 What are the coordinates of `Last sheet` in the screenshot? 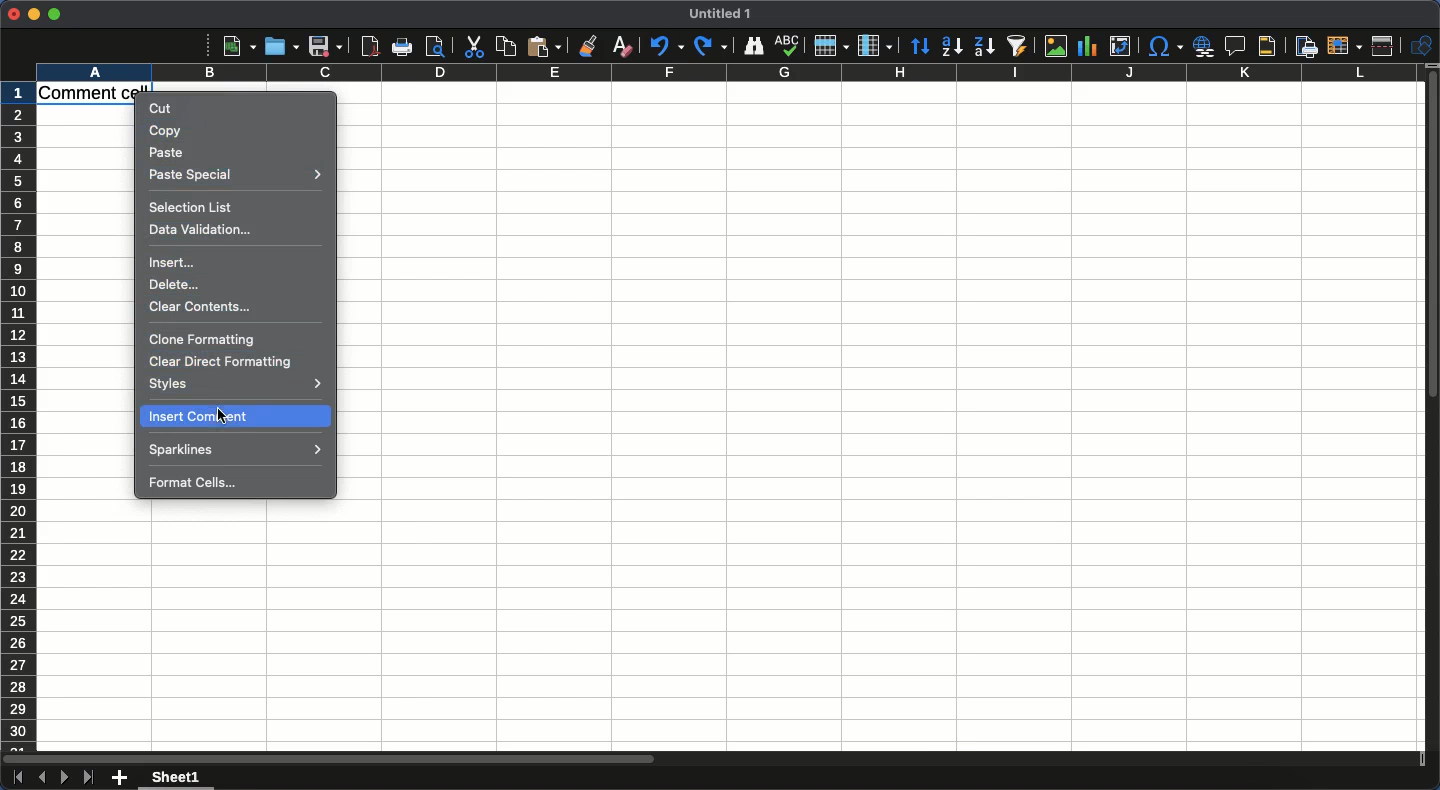 It's located at (88, 778).